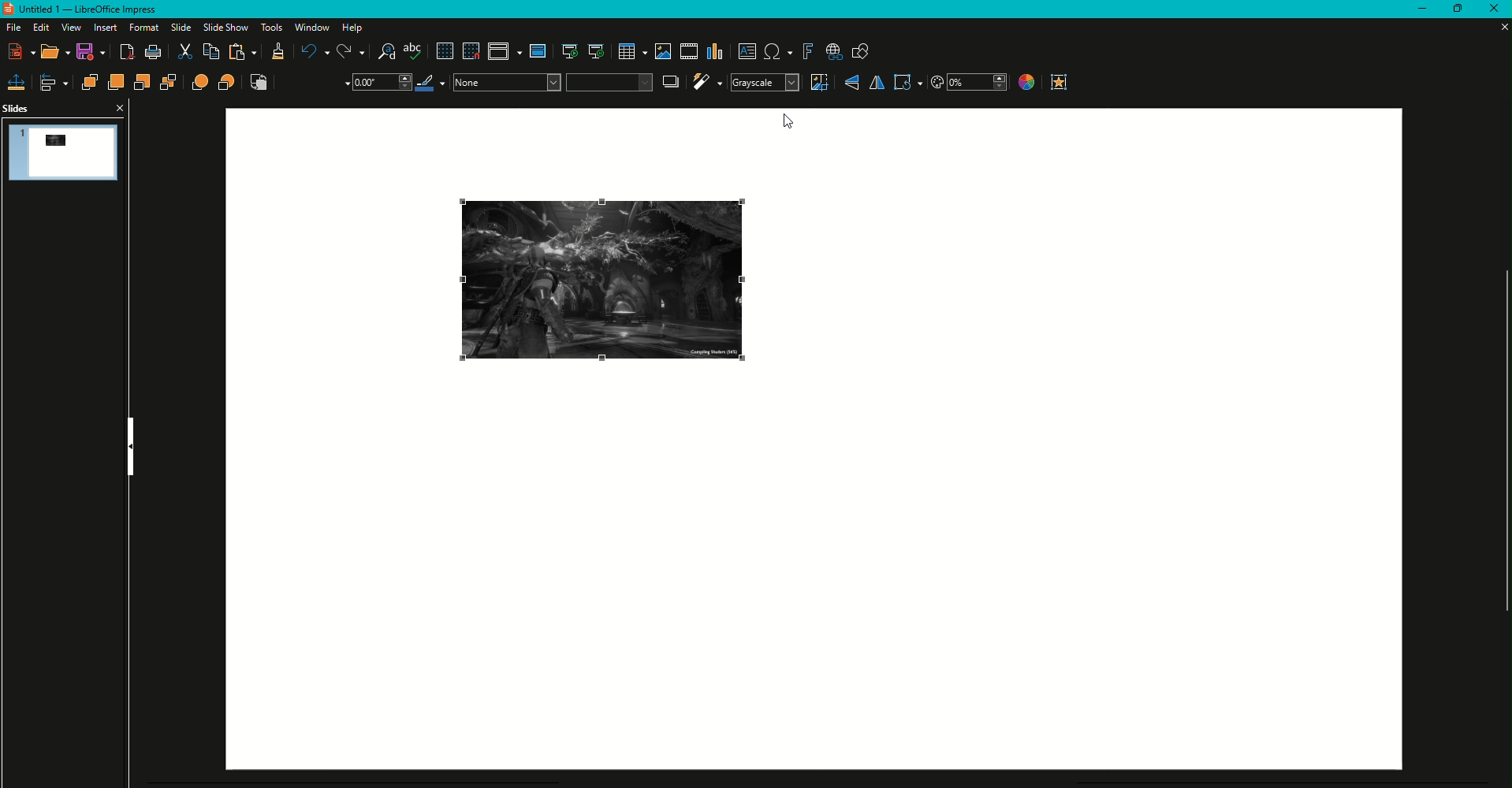 This screenshot has width=1512, height=788. Describe the element at coordinates (432, 83) in the screenshot. I see `Line Color` at that location.